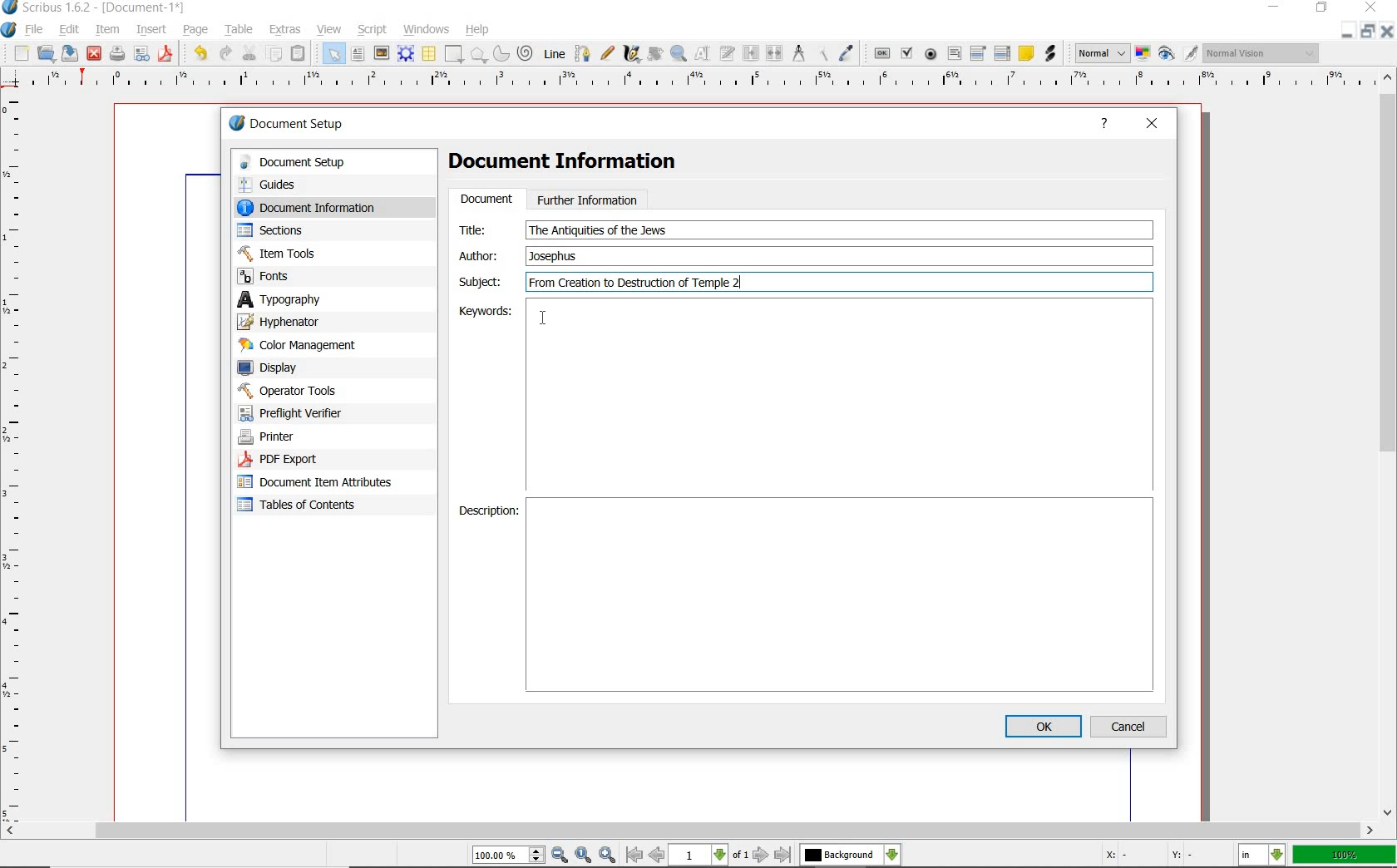  What do you see at coordinates (141, 55) in the screenshot?
I see `preflight verifier` at bounding box center [141, 55].